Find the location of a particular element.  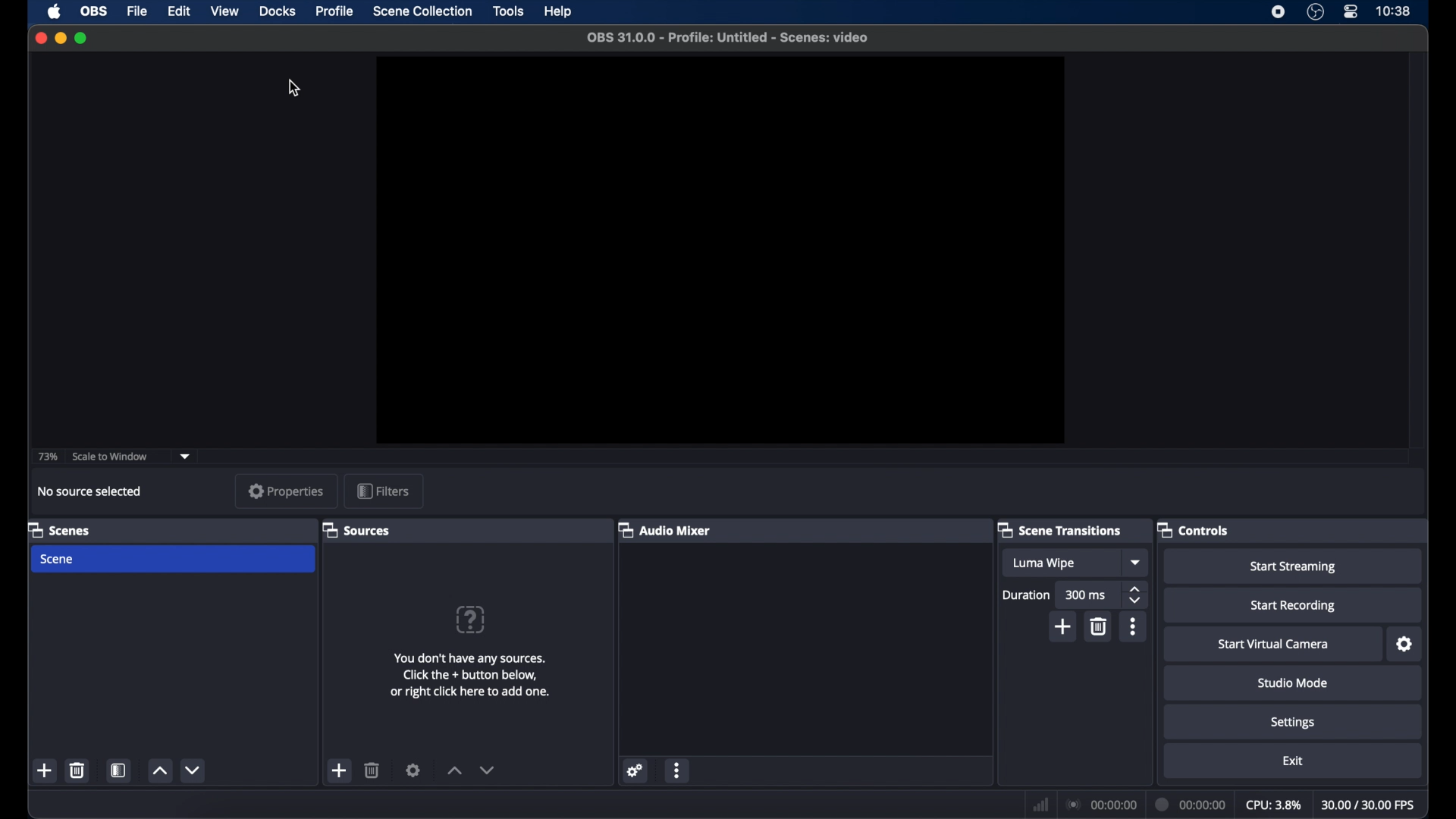

control center is located at coordinates (1350, 11).